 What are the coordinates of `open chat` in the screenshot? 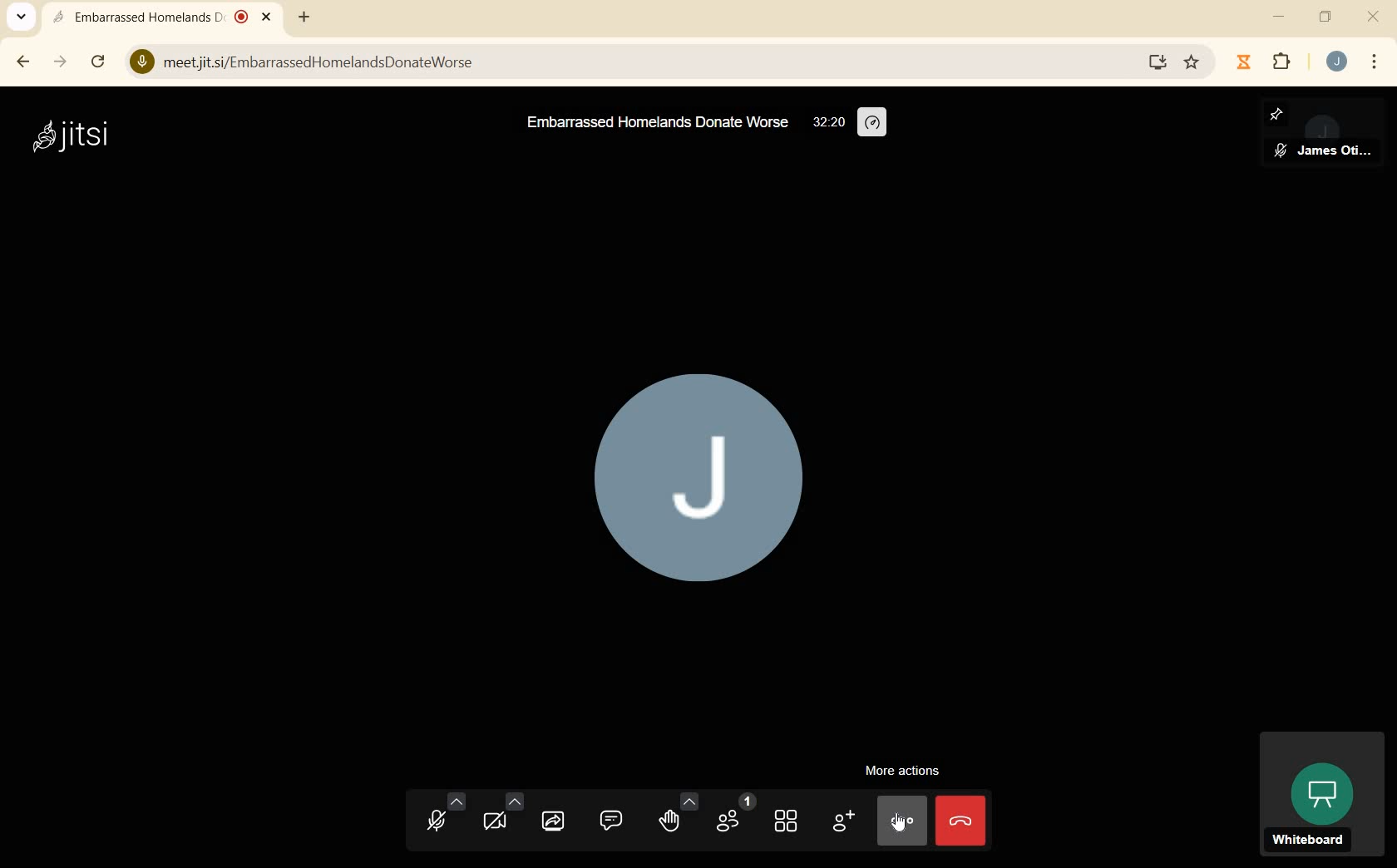 It's located at (614, 821).